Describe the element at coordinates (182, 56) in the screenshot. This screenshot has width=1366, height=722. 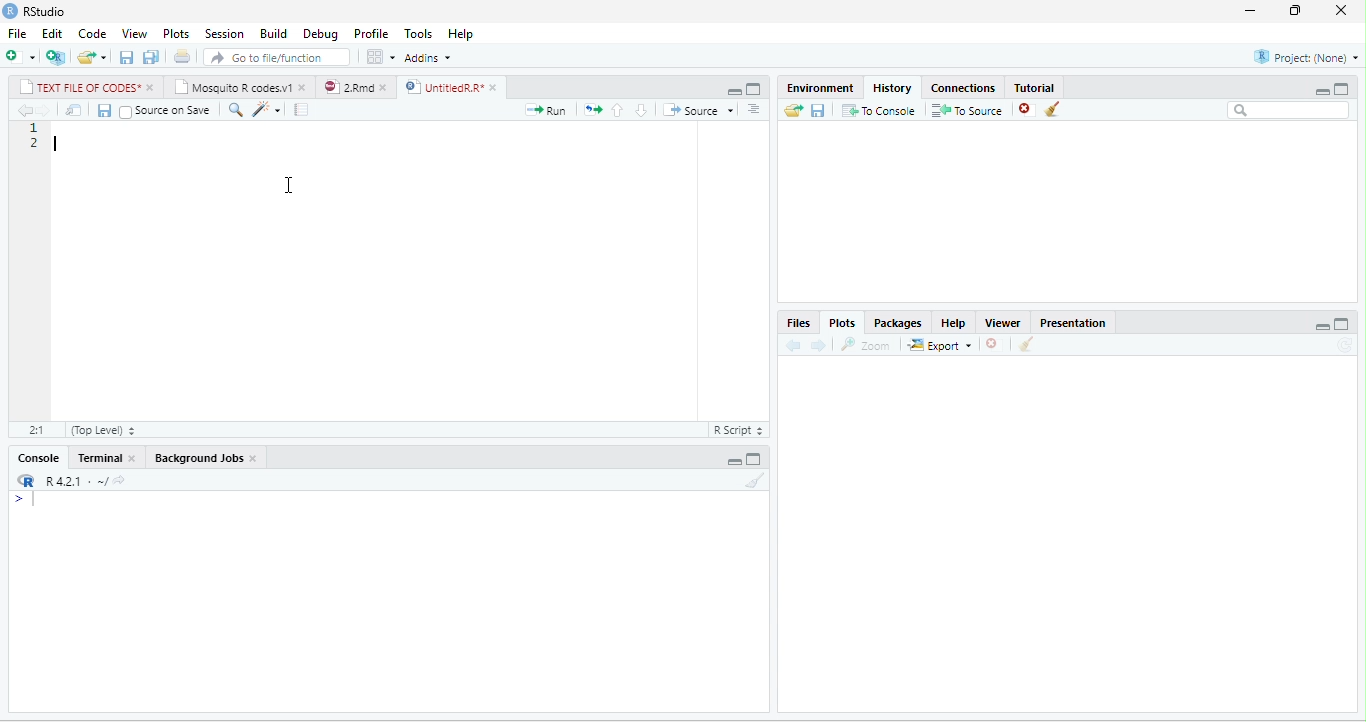
I see `print` at that location.